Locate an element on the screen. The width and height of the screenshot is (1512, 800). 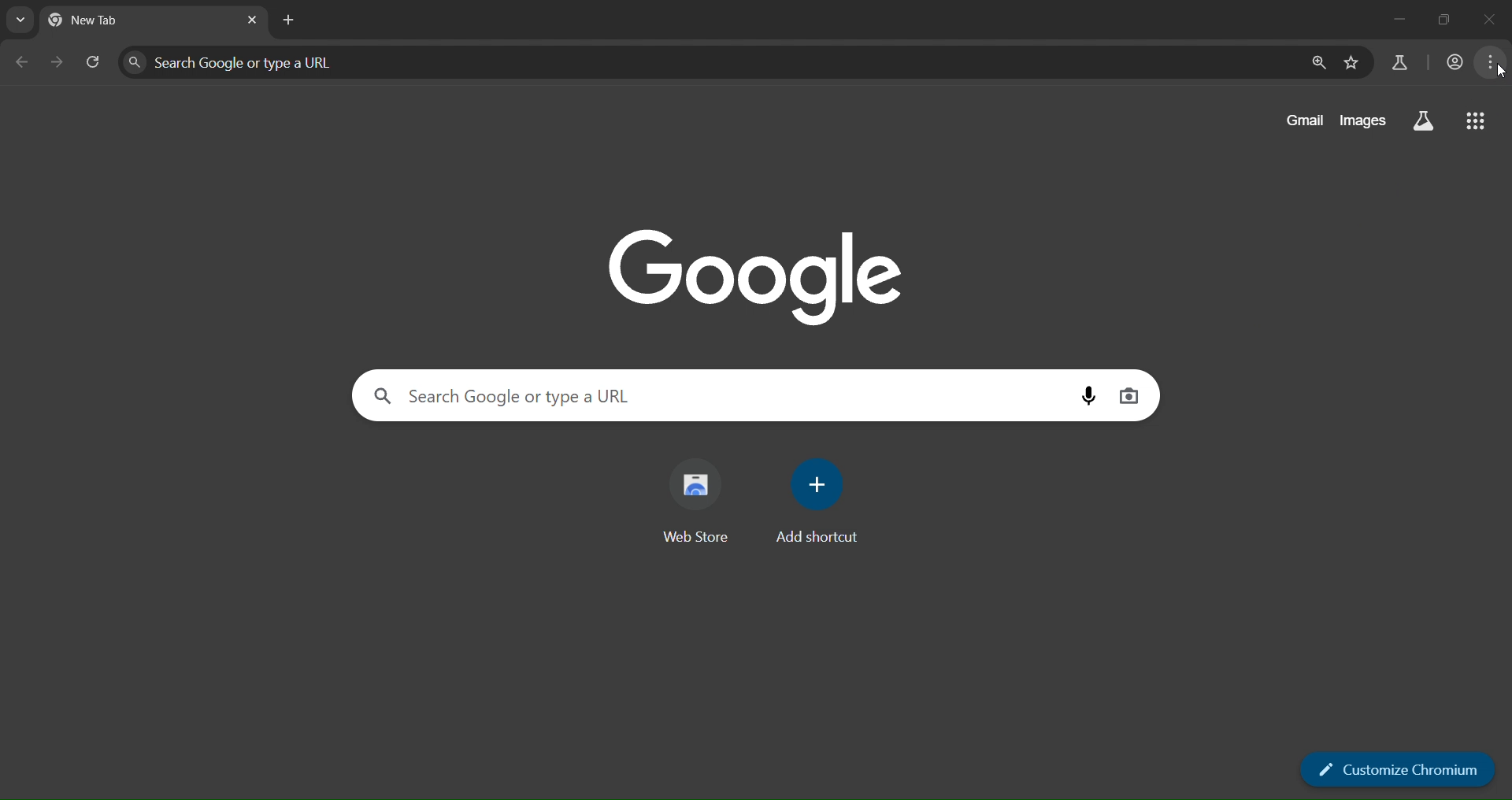
search labs is located at coordinates (1424, 124).